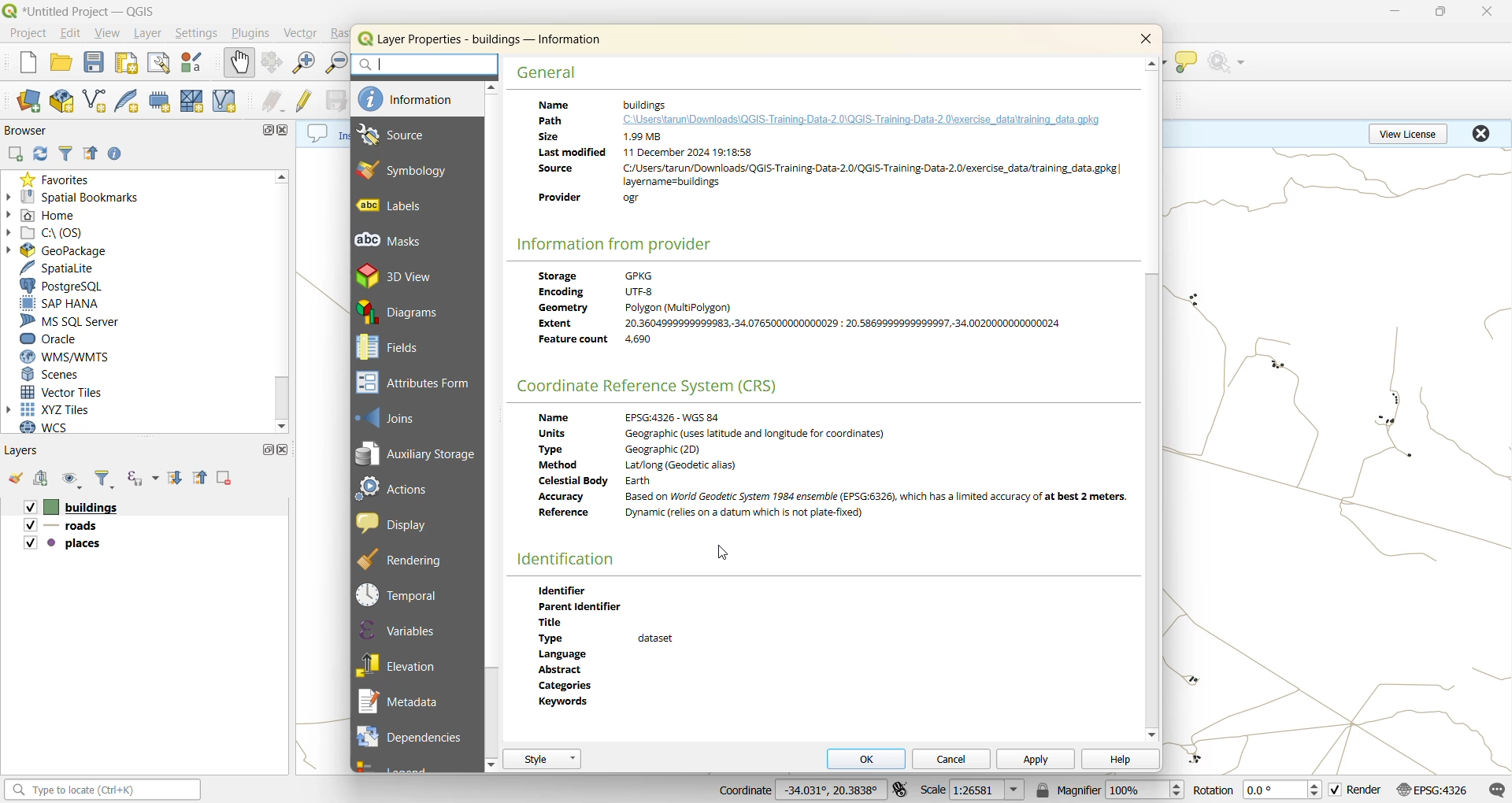  I want to click on zoom out, so click(336, 62).